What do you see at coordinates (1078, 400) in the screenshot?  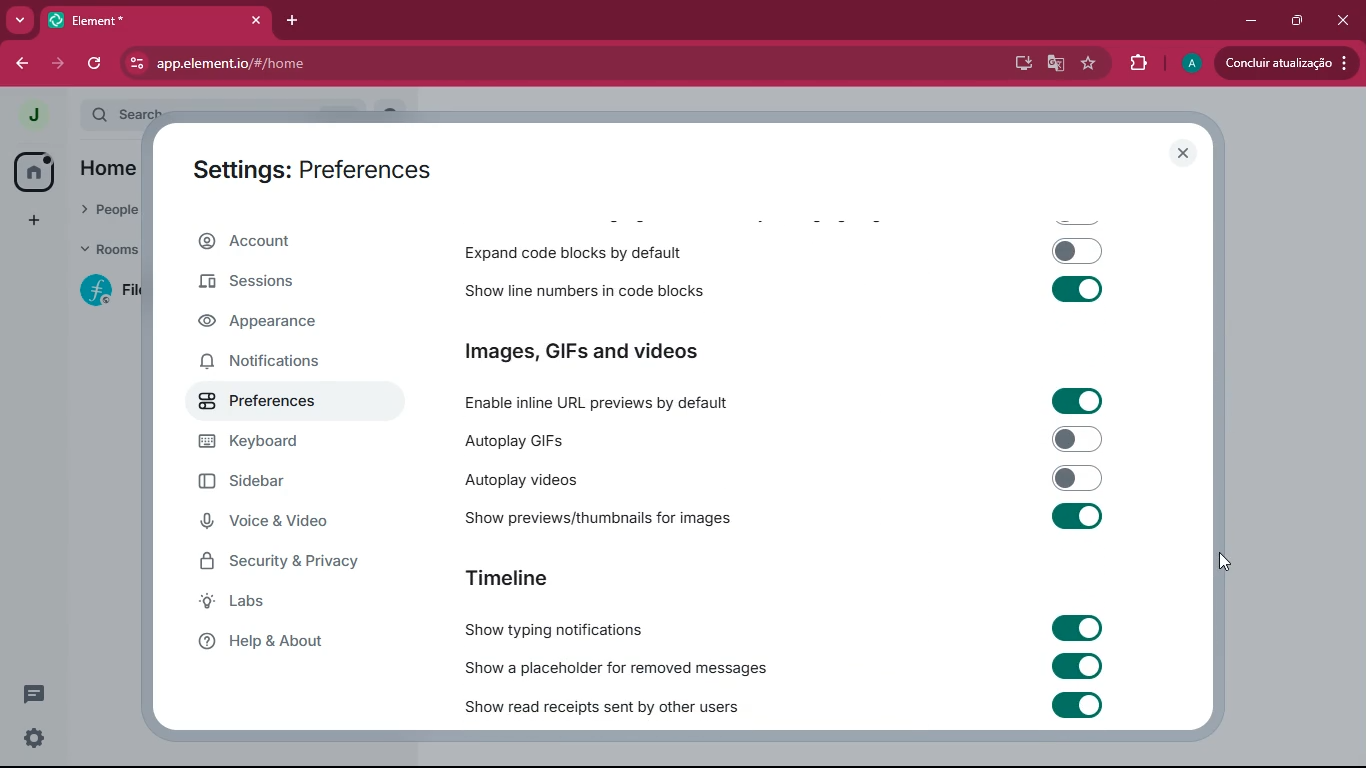 I see `toggle on/off` at bounding box center [1078, 400].